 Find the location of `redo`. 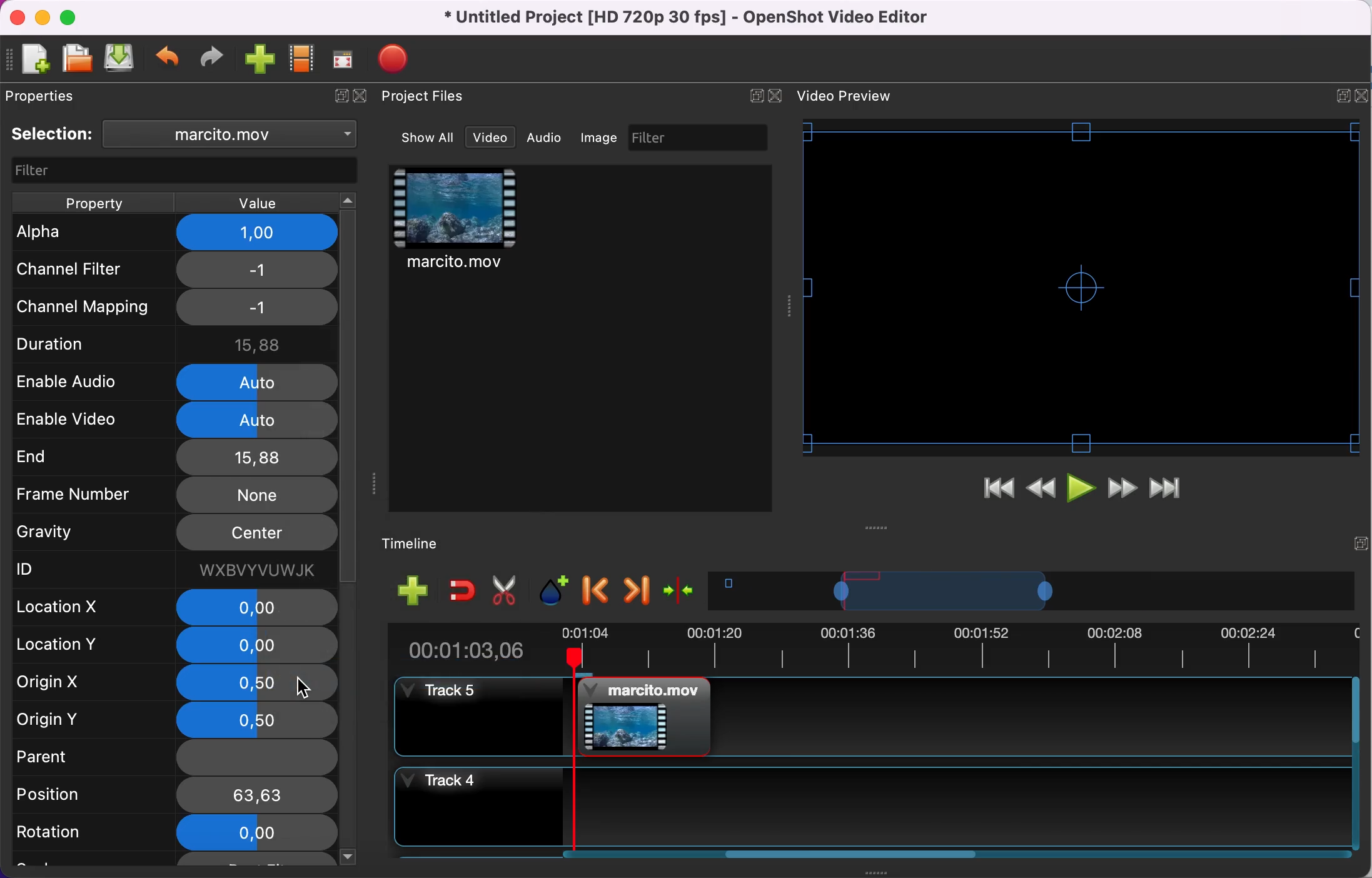

redo is located at coordinates (212, 58).